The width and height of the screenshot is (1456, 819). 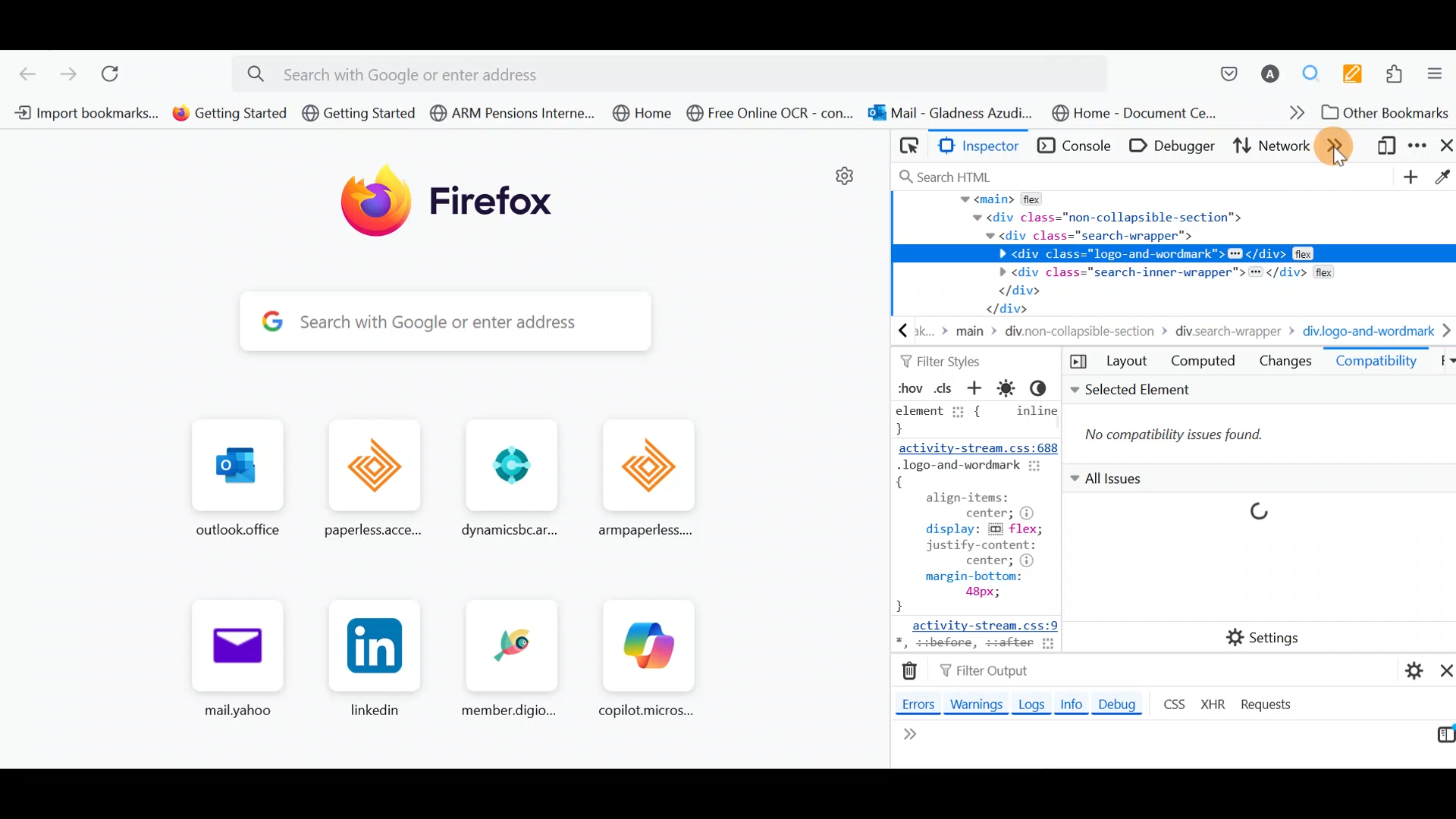 What do you see at coordinates (908, 146) in the screenshot?
I see `Pick an element from the page` at bounding box center [908, 146].